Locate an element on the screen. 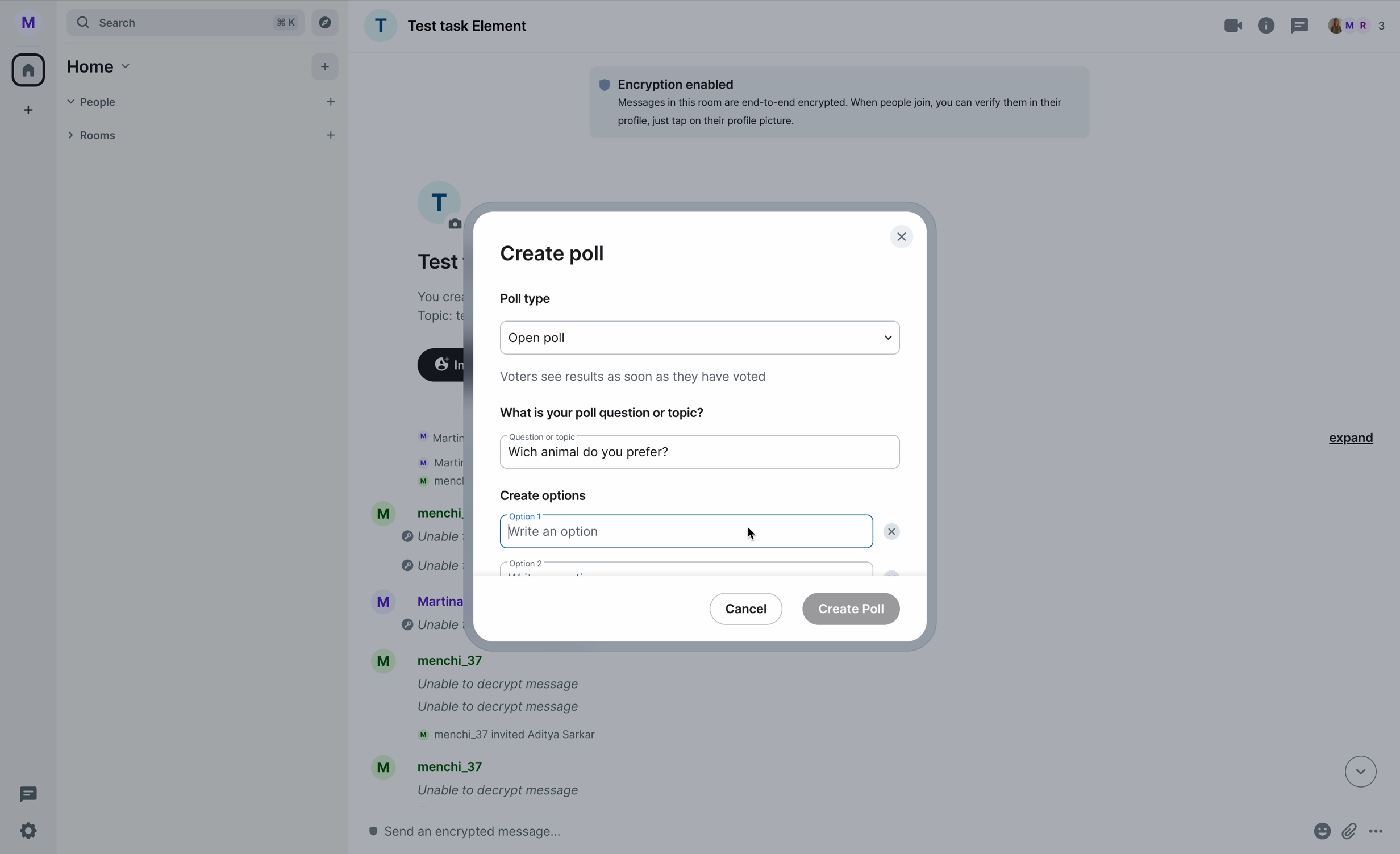 The height and width of the screenshot is (854, 1400). Test task Element is located at coordinates (446, 26).